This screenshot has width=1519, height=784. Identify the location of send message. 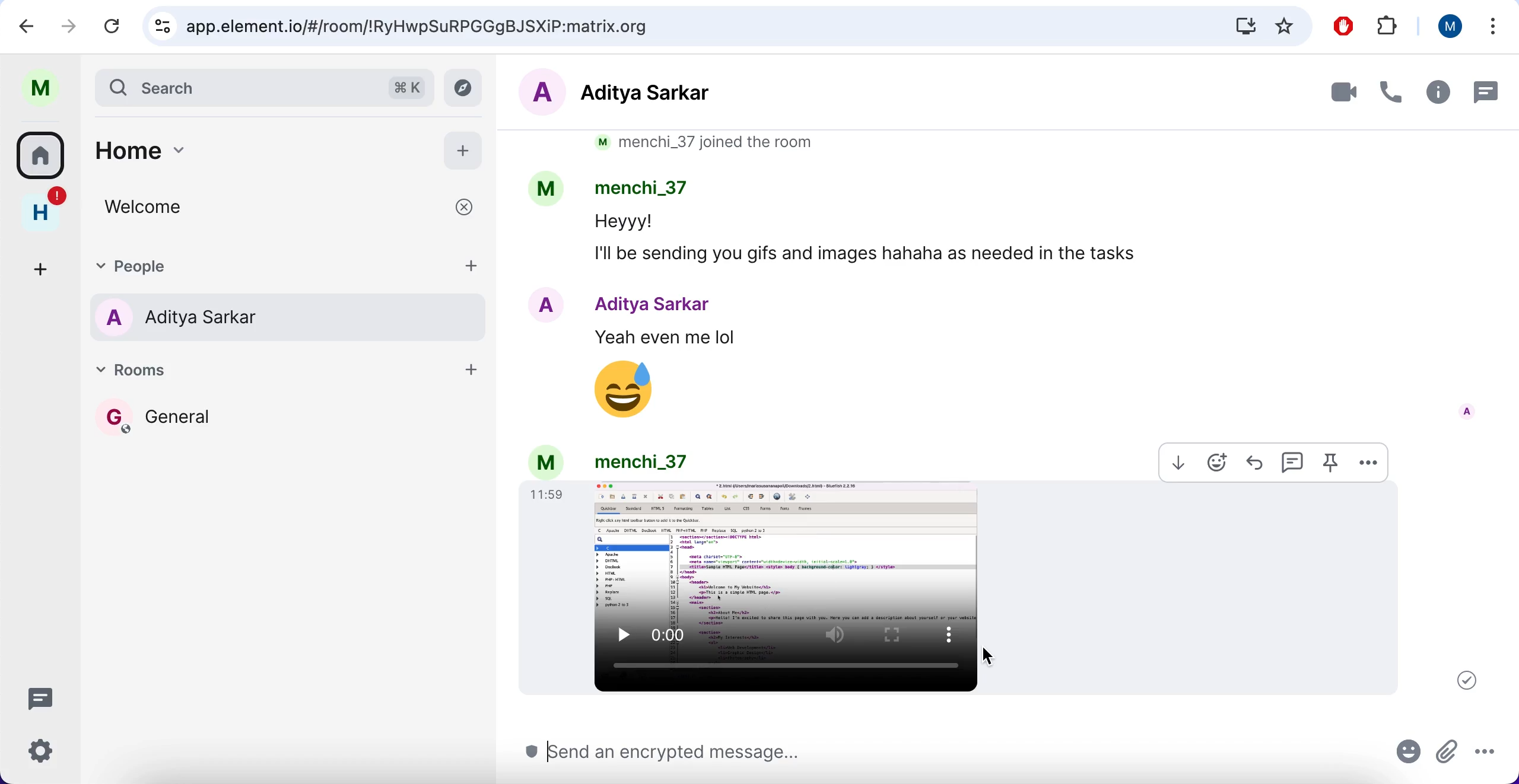
(953, 755).